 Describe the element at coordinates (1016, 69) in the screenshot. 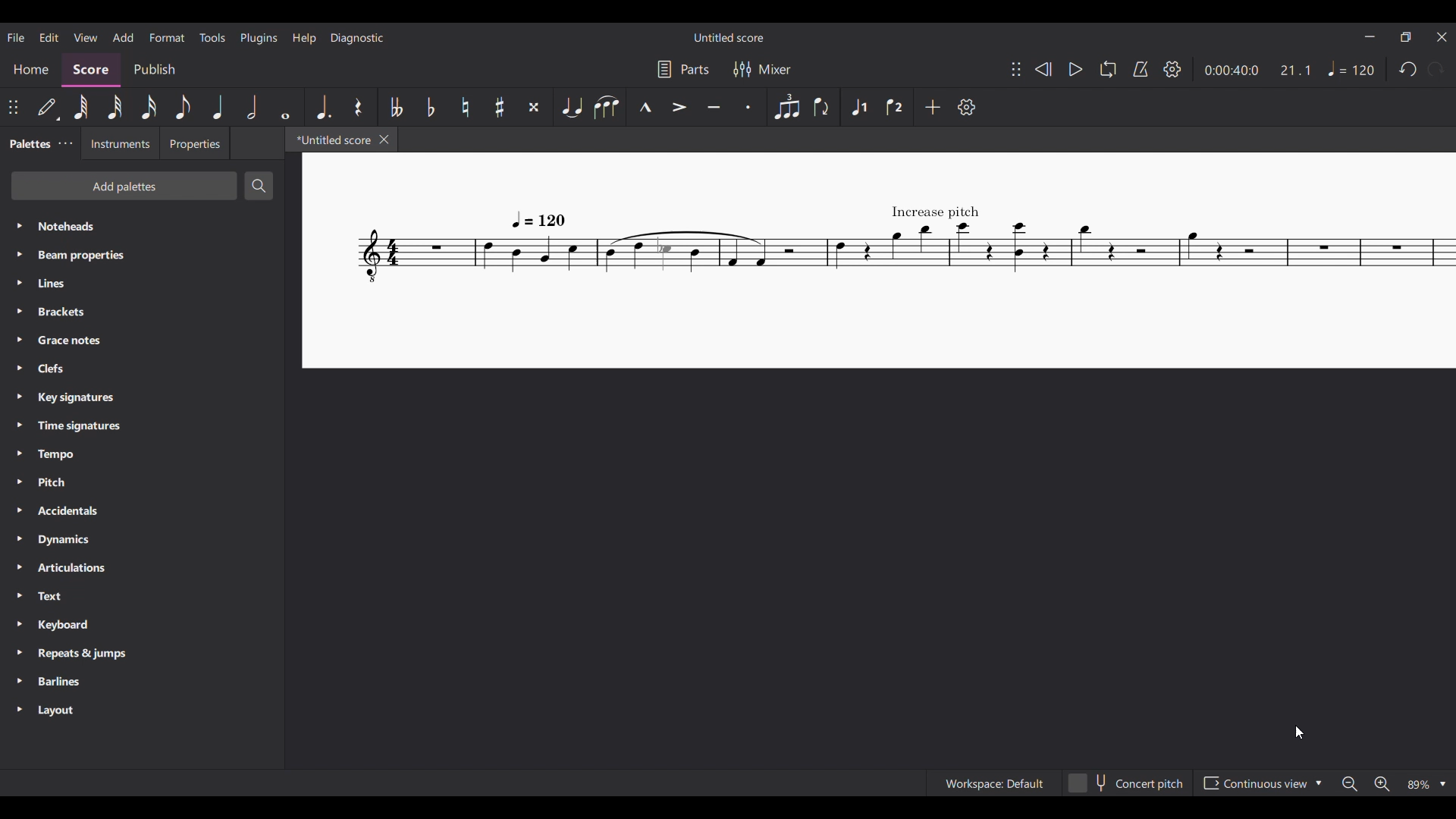

I see `Change position` at that location.